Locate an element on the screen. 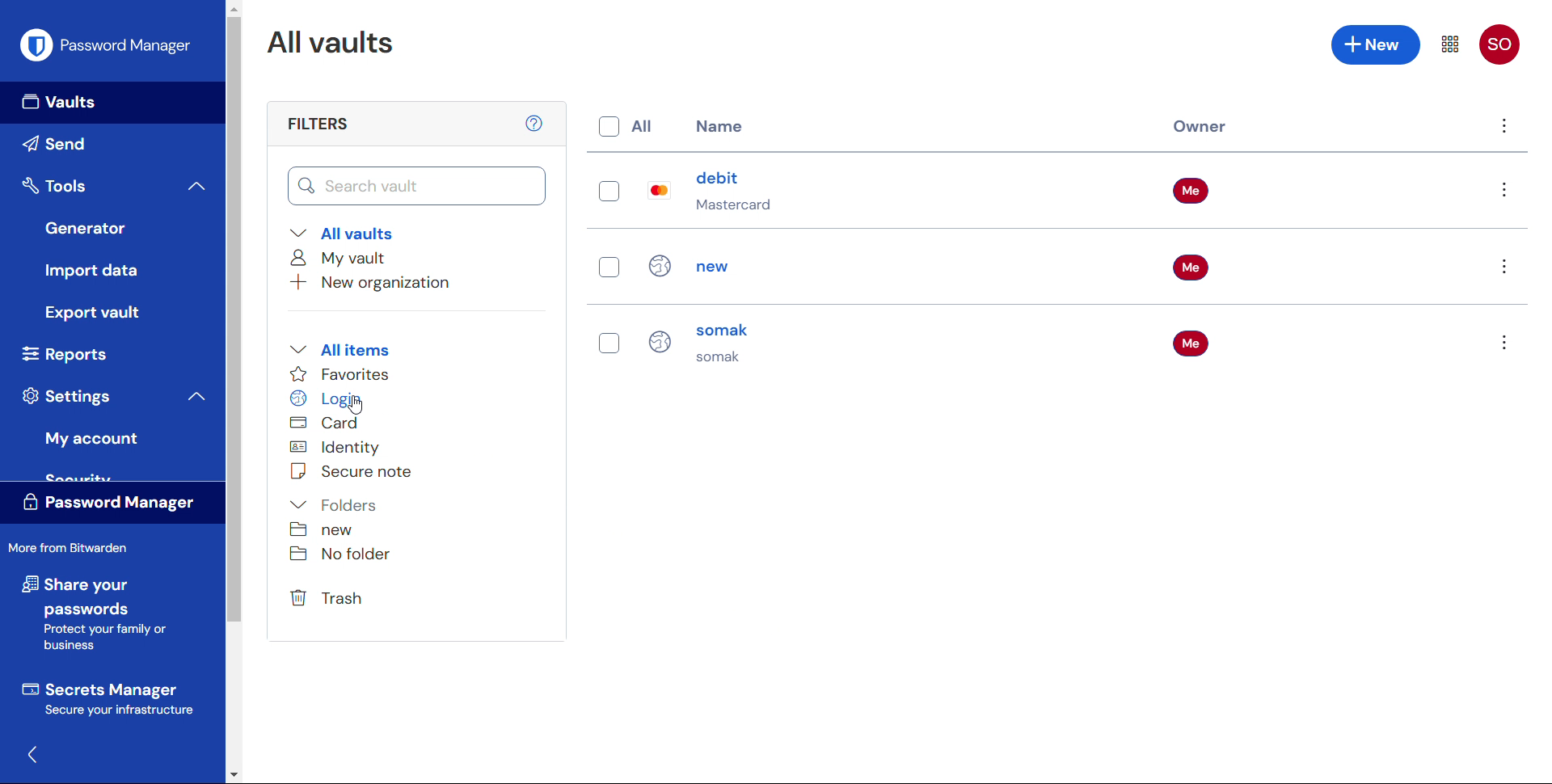  Password manager  is located at coordinates (112, 504).